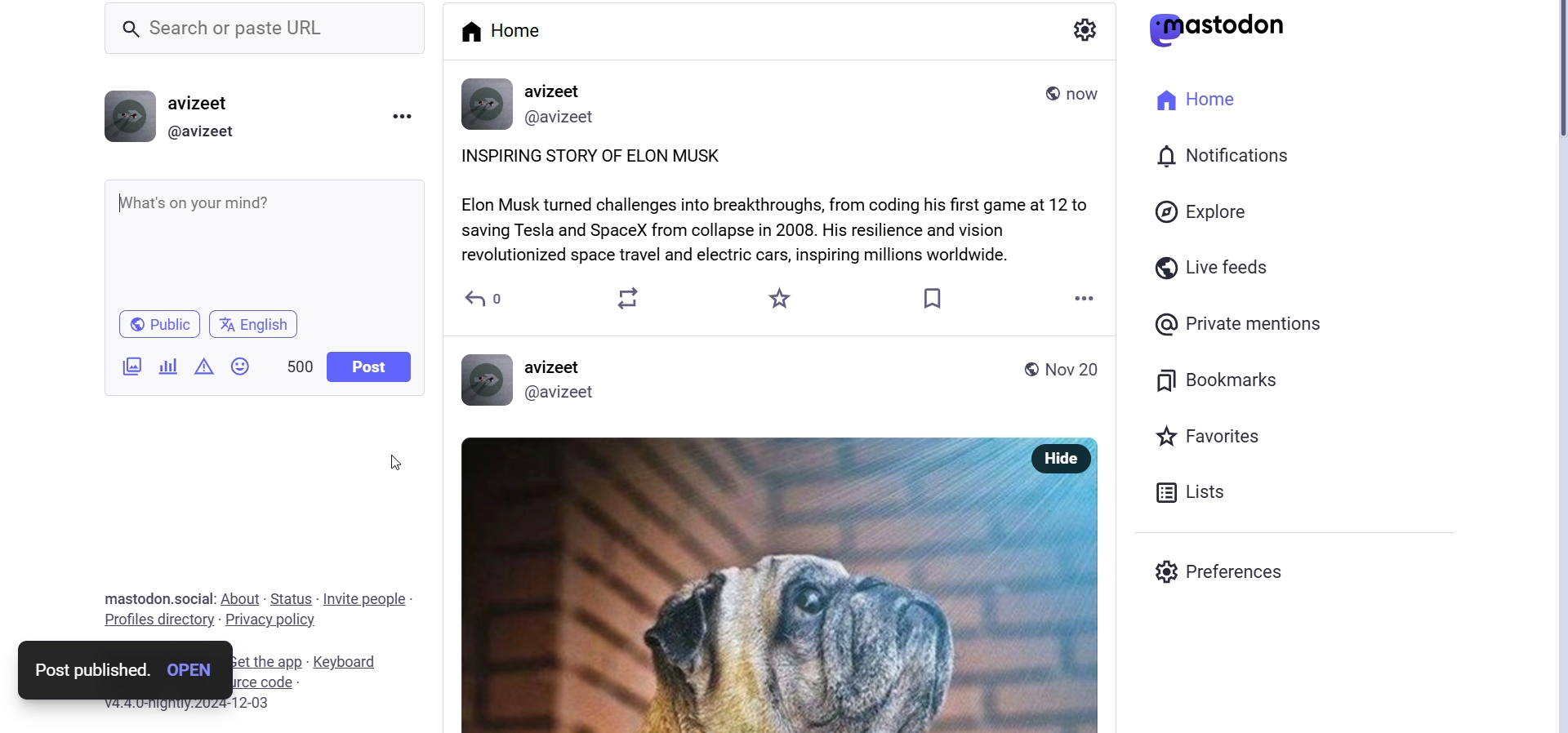 The width and height of the screenshot is (1568, 733). I want to click on Keyboard, so click(345, 664).